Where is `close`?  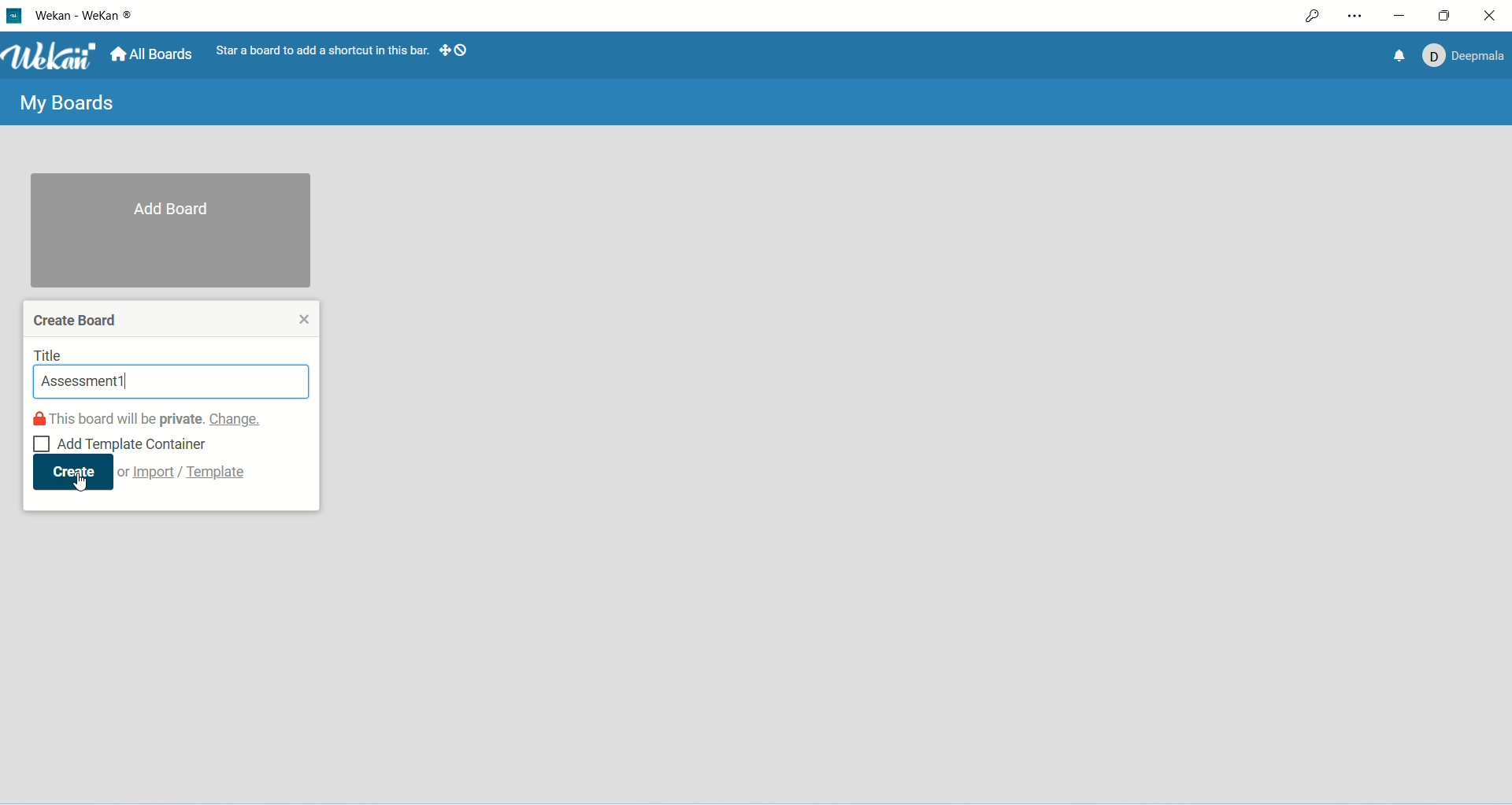 close is located at coordinates (304, 318).